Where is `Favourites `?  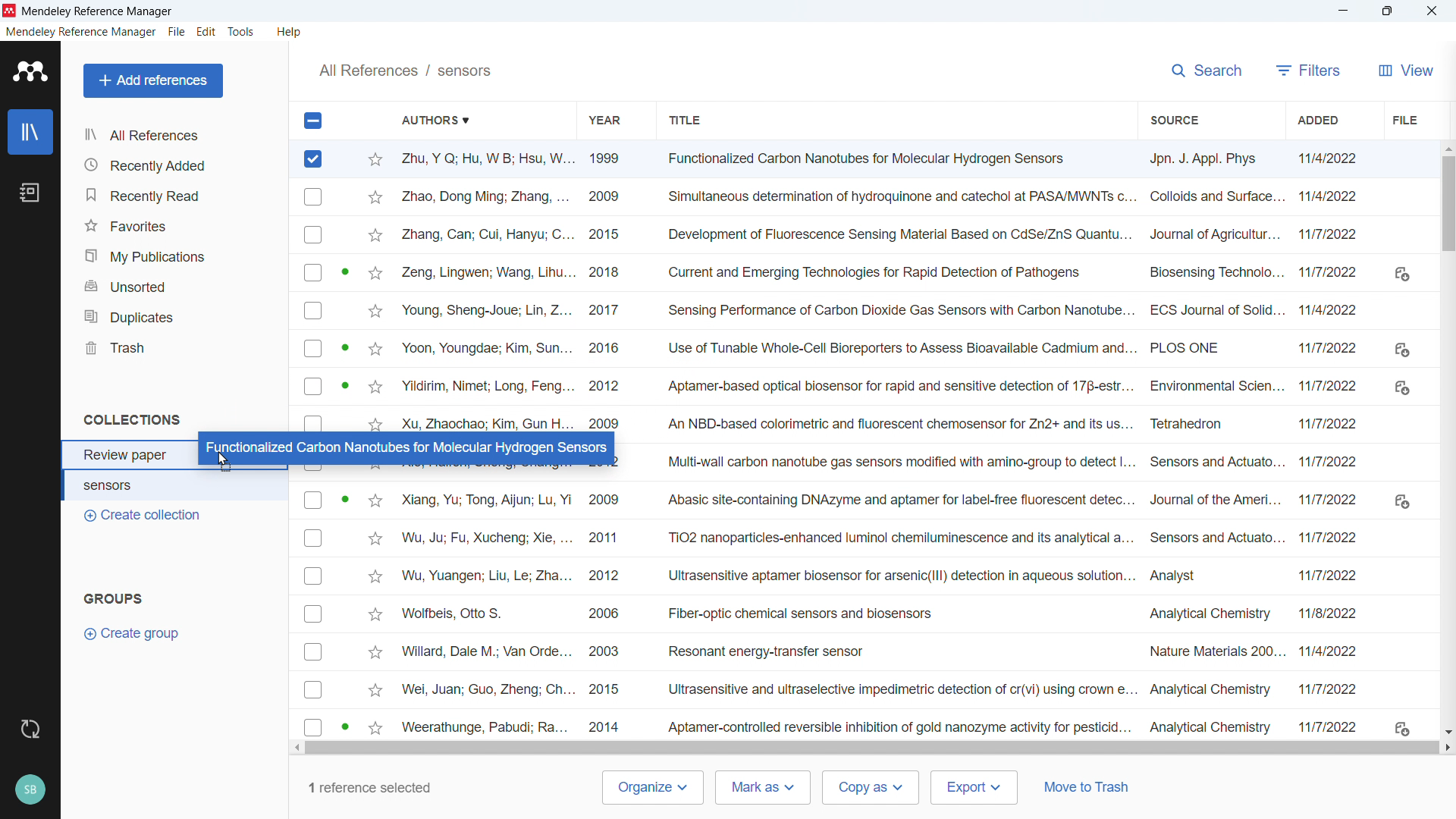
Favourites  is located at coordinates (177, 227).